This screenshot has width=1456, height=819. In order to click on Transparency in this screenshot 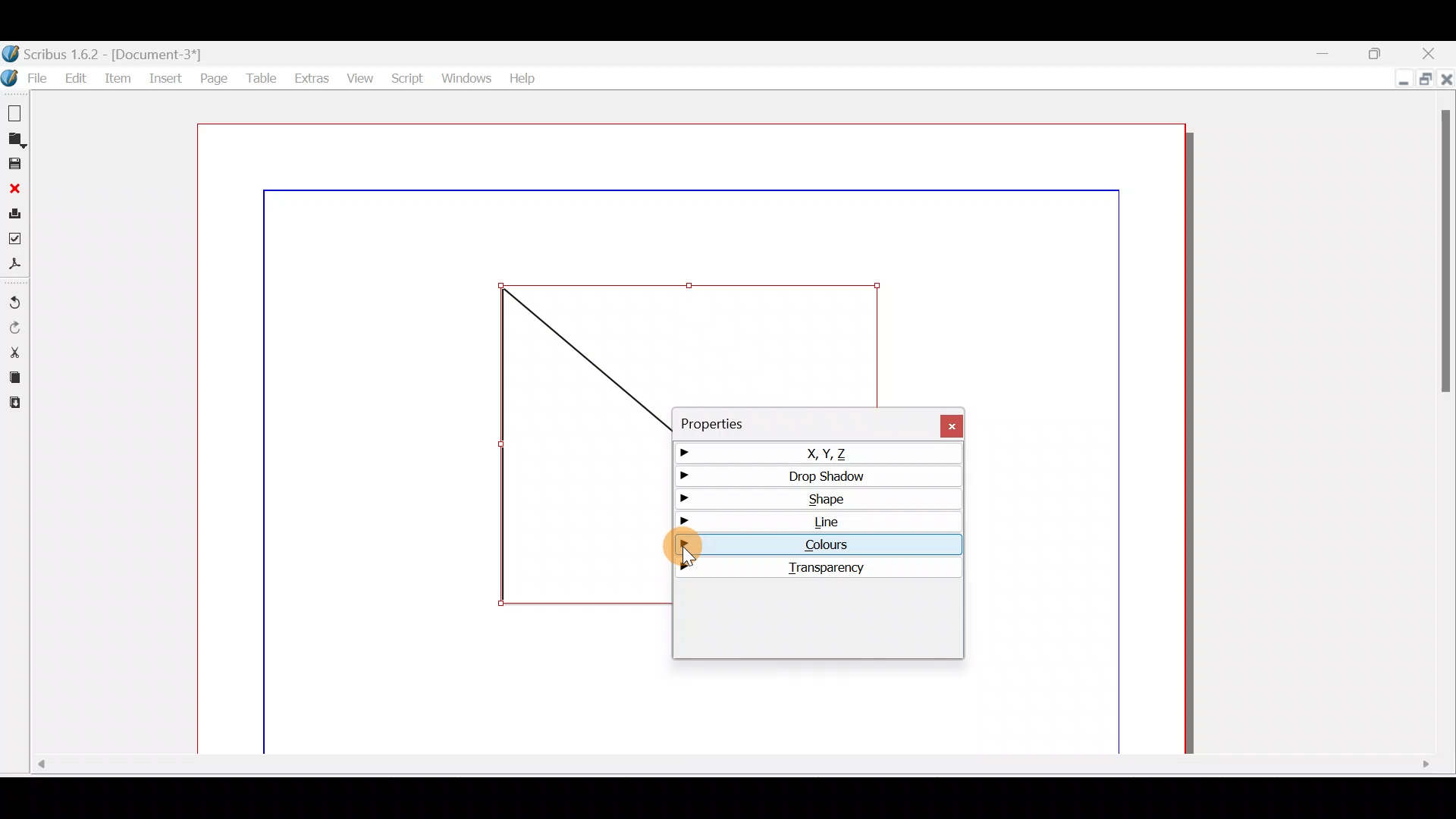, I will do `click(817, 567)`.